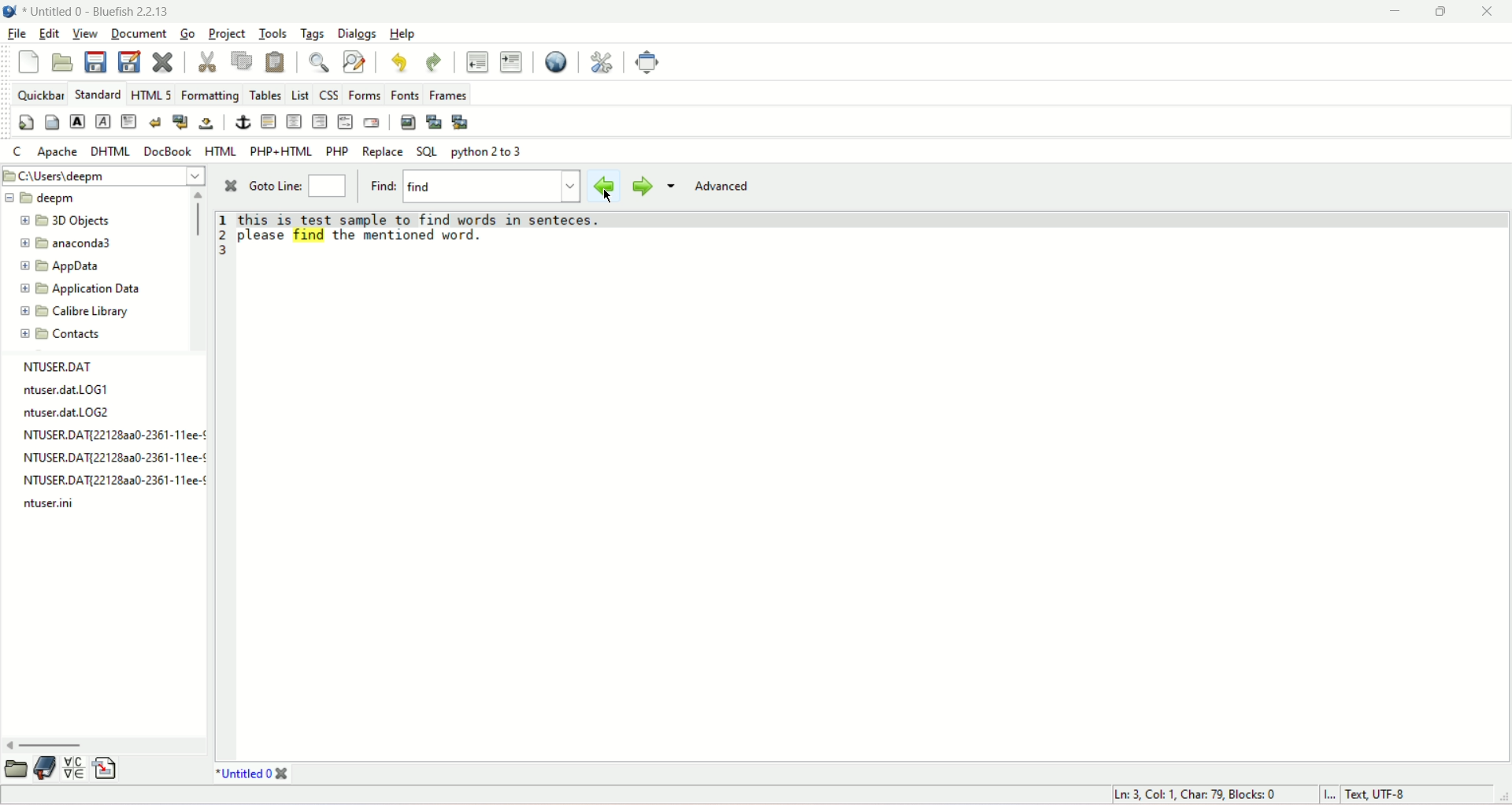  What do you see at coordinates (83, 288) in the screenshot?
I see `application data` at bounding box center [83, 288].